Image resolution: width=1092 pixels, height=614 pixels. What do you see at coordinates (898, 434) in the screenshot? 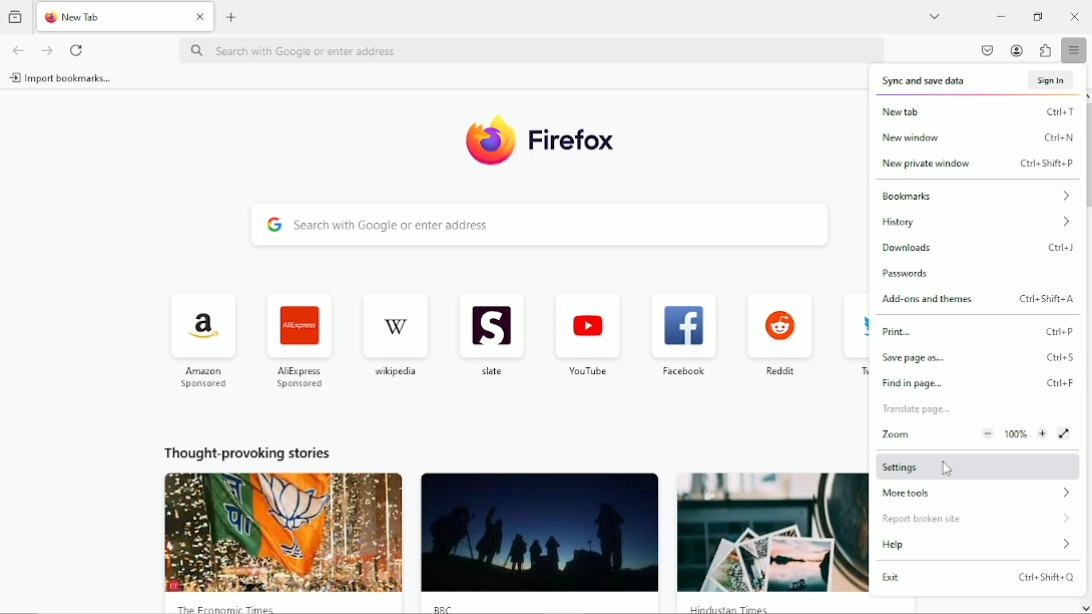
I see `zoom` at bounding box center [898, 434].